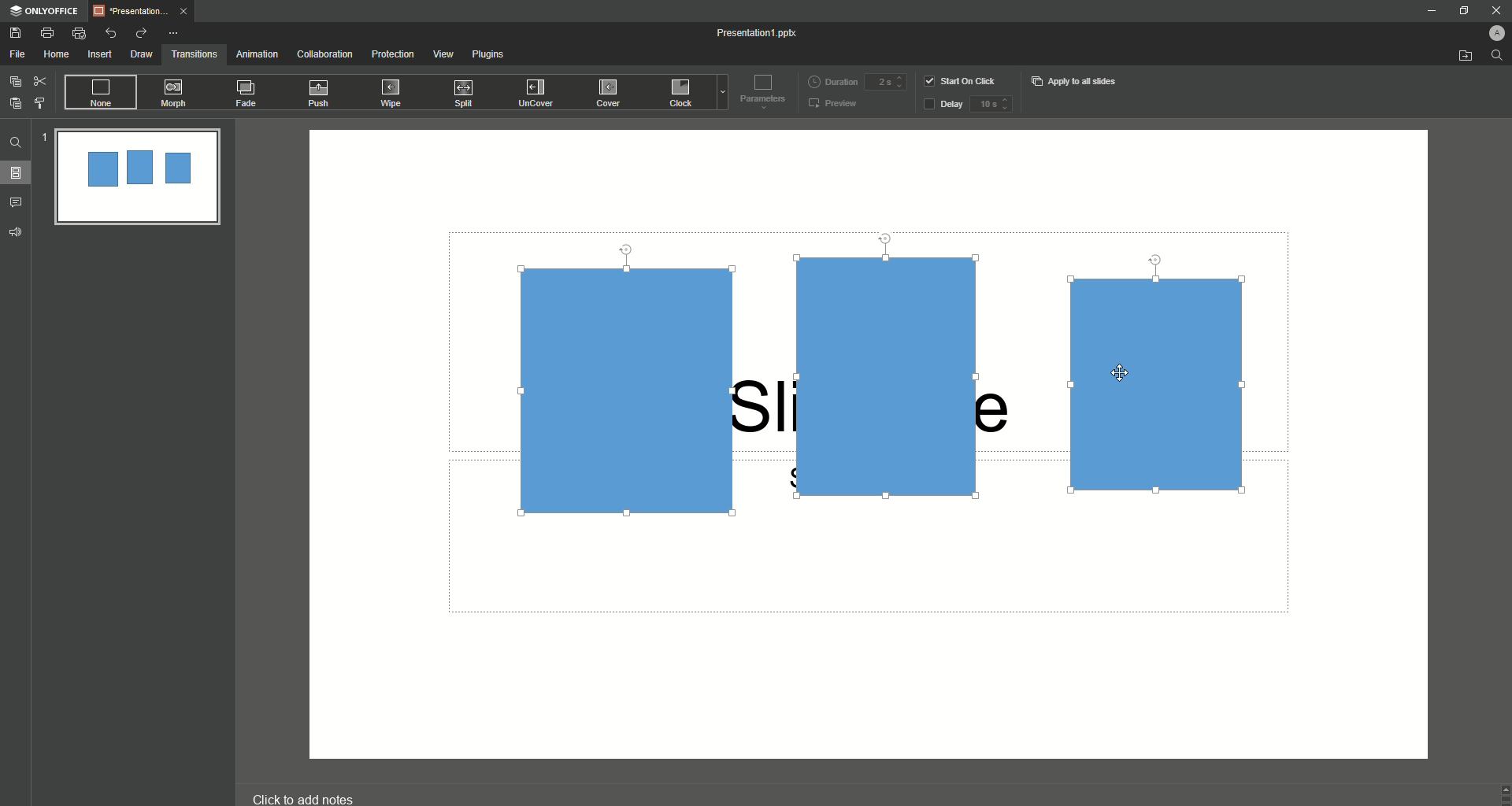  I want to click on Home, so click(57, 55).